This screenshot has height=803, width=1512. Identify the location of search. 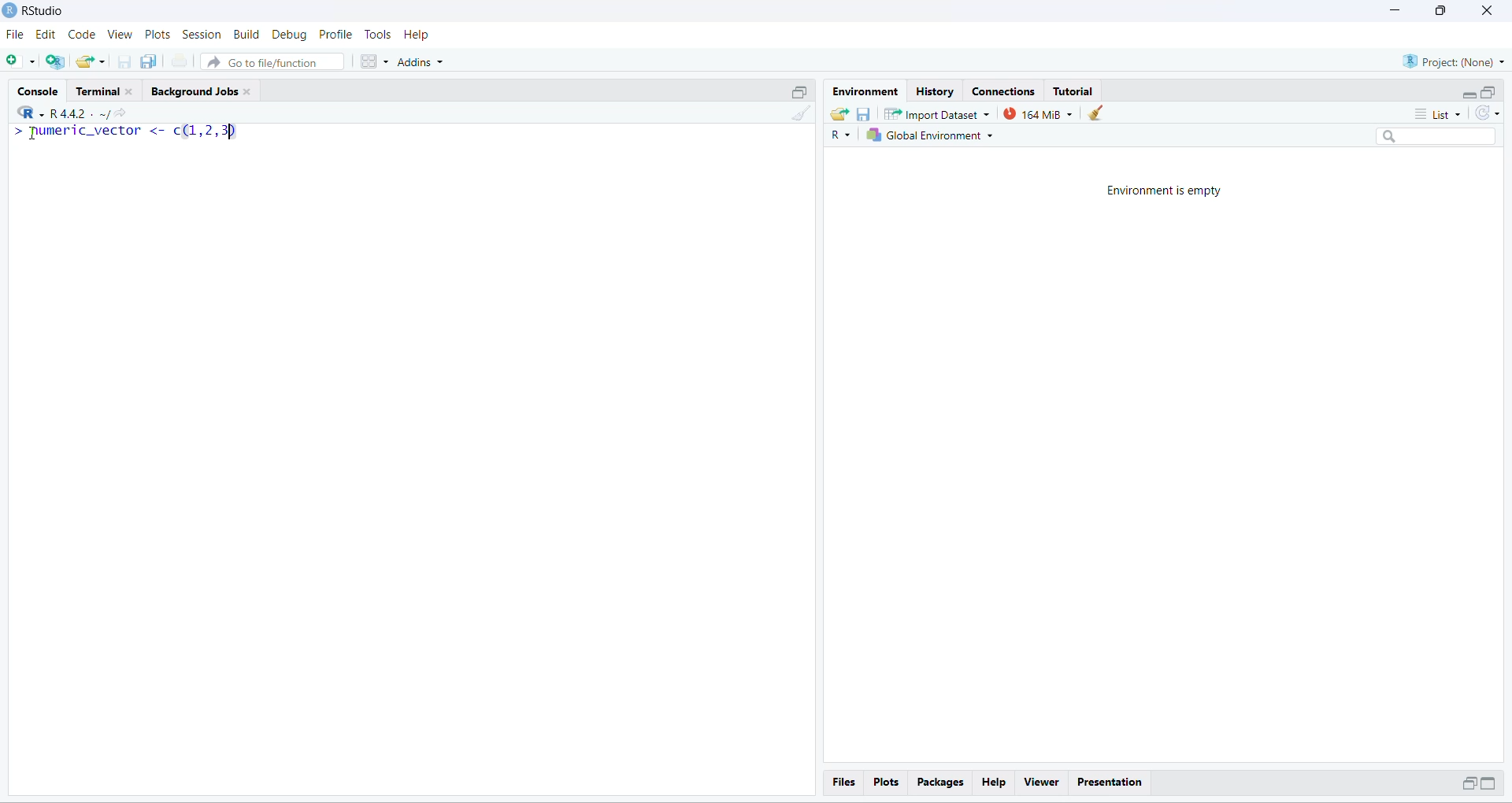
(1438, 137).